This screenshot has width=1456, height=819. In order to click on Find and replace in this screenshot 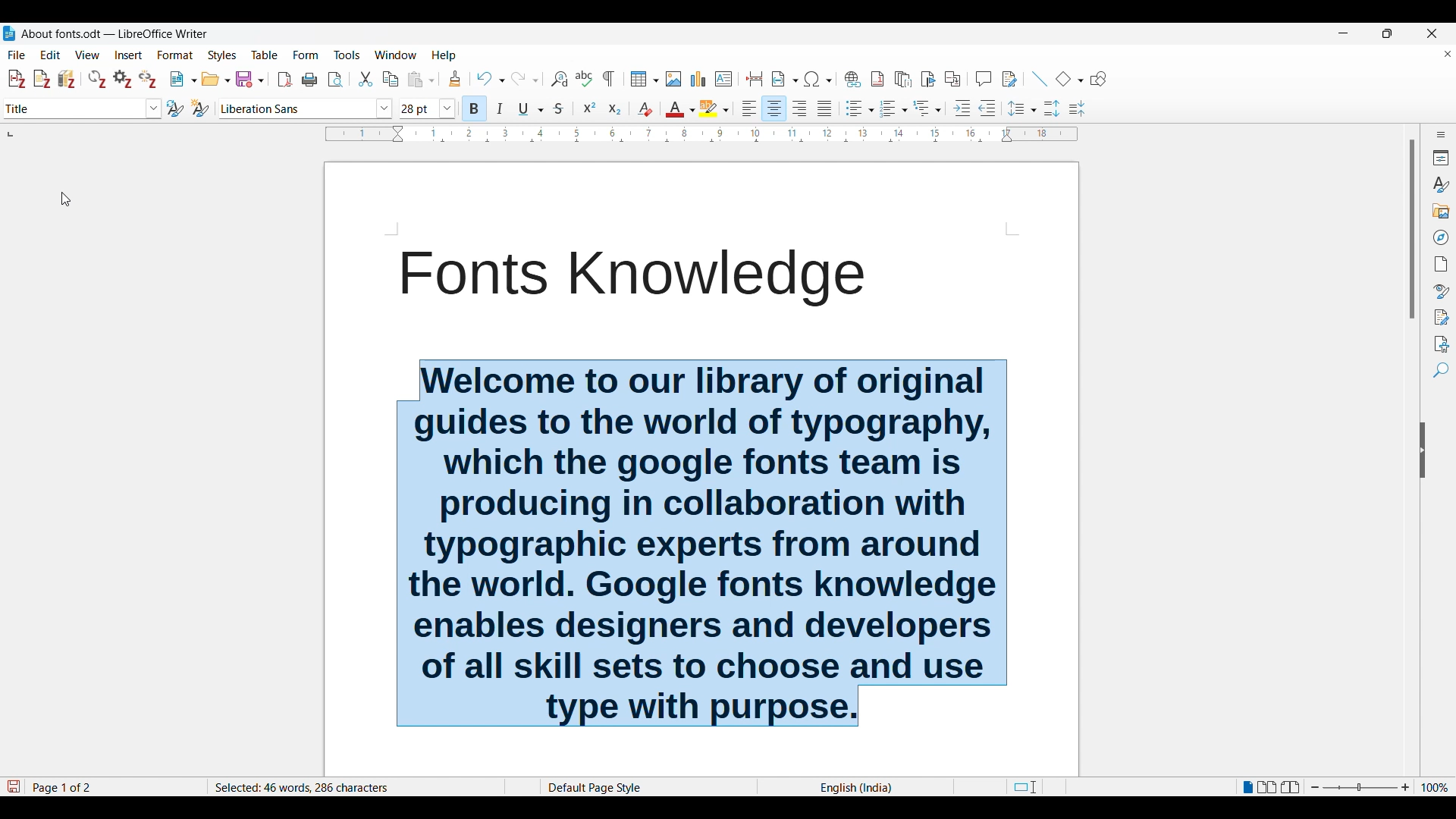, I will do `click(560, 80)`.